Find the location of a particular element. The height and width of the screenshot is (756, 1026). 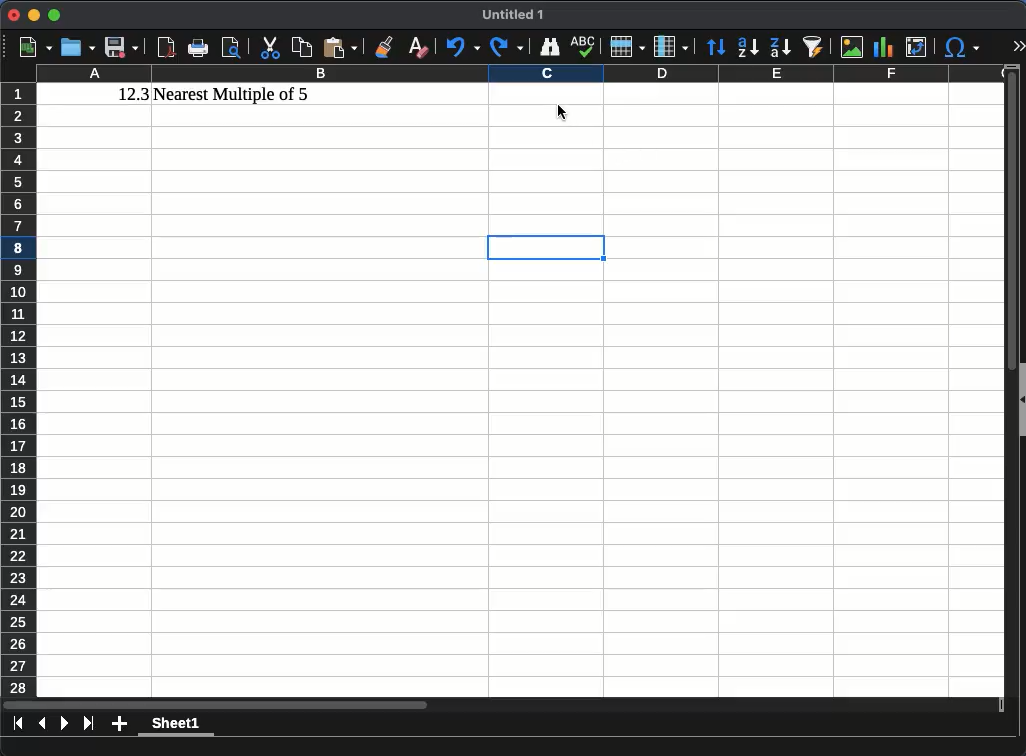

column is located at coordinates (669, 47).